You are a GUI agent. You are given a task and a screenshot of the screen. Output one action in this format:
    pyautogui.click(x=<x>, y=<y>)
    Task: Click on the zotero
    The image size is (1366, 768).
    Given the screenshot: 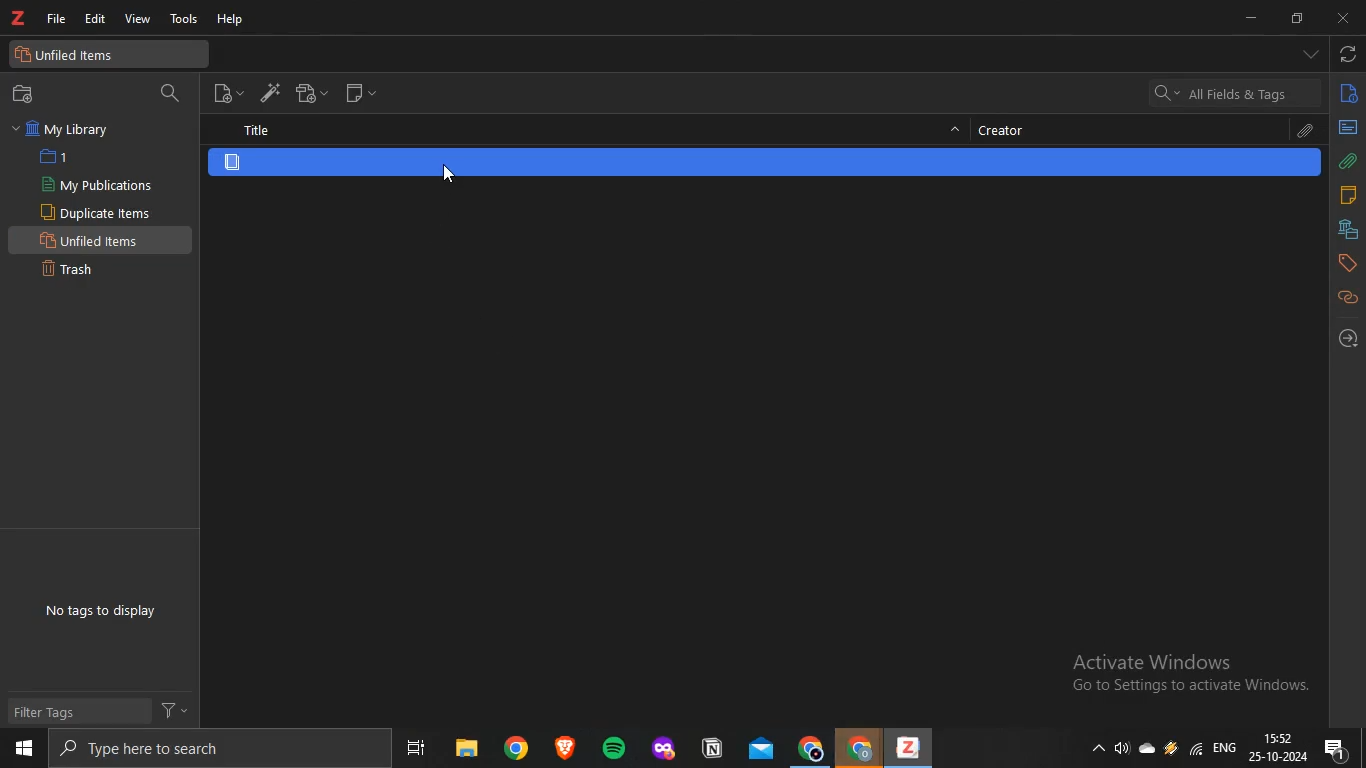 What is the action you would take?
    pyautogui.click(x=19, y=19)
    